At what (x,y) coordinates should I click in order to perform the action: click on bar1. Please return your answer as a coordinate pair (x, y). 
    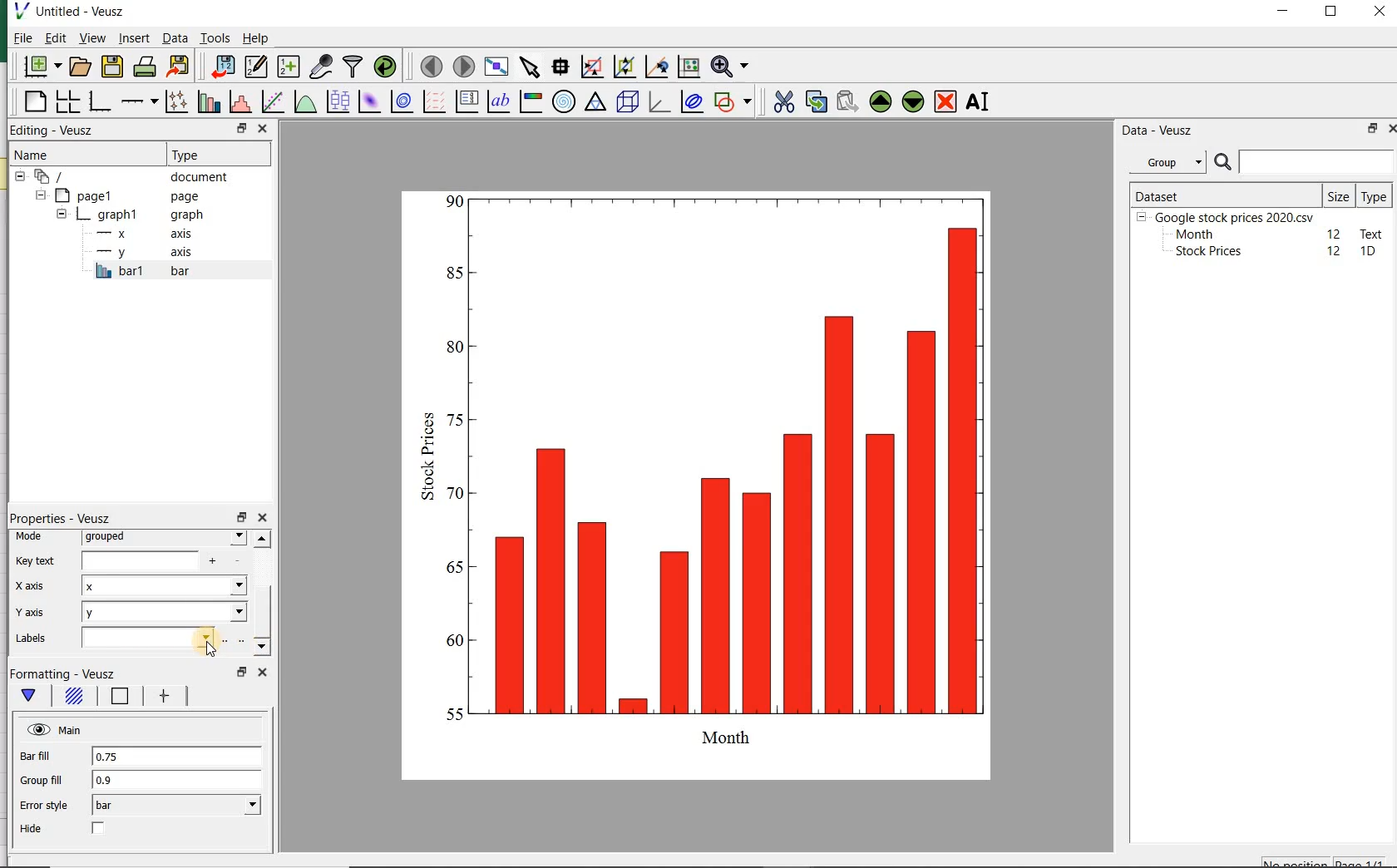
    Looking at the image, I should click on (140, 272).